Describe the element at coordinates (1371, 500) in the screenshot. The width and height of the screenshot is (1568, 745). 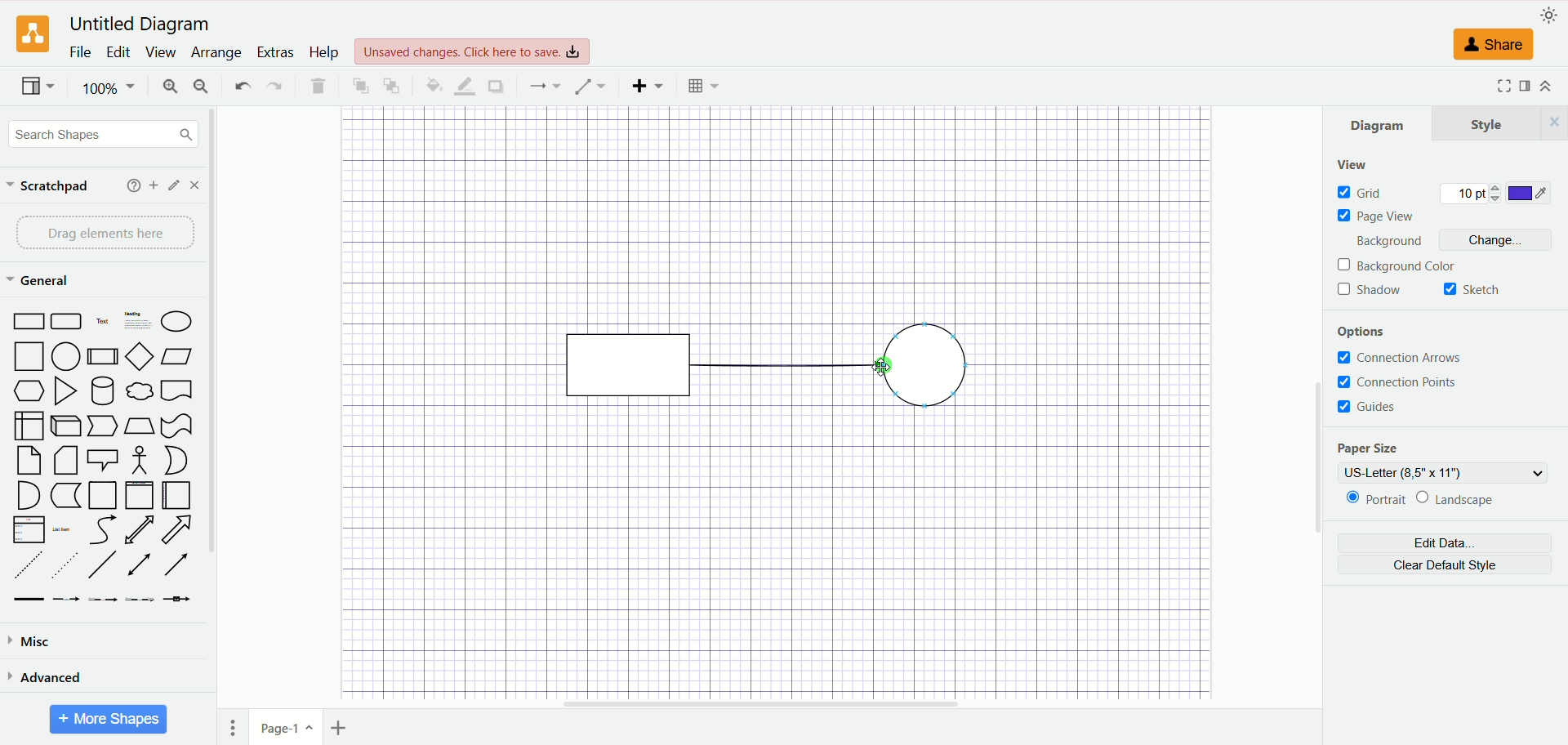
I see `portrait` at that location.